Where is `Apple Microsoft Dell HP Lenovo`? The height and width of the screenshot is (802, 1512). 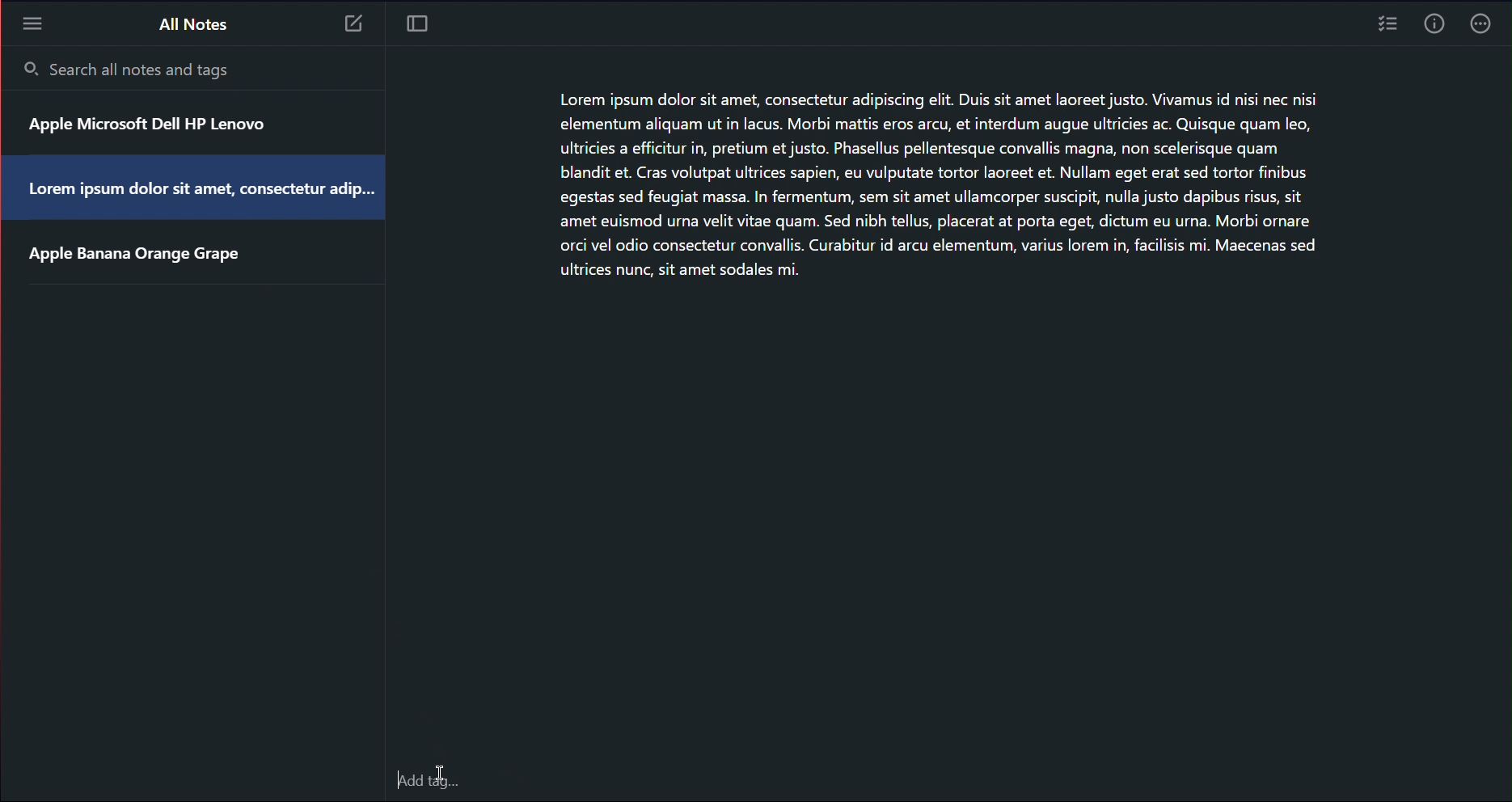
Apple Microsoft Dell HP Lenovo is located at coordinates (197, 128).